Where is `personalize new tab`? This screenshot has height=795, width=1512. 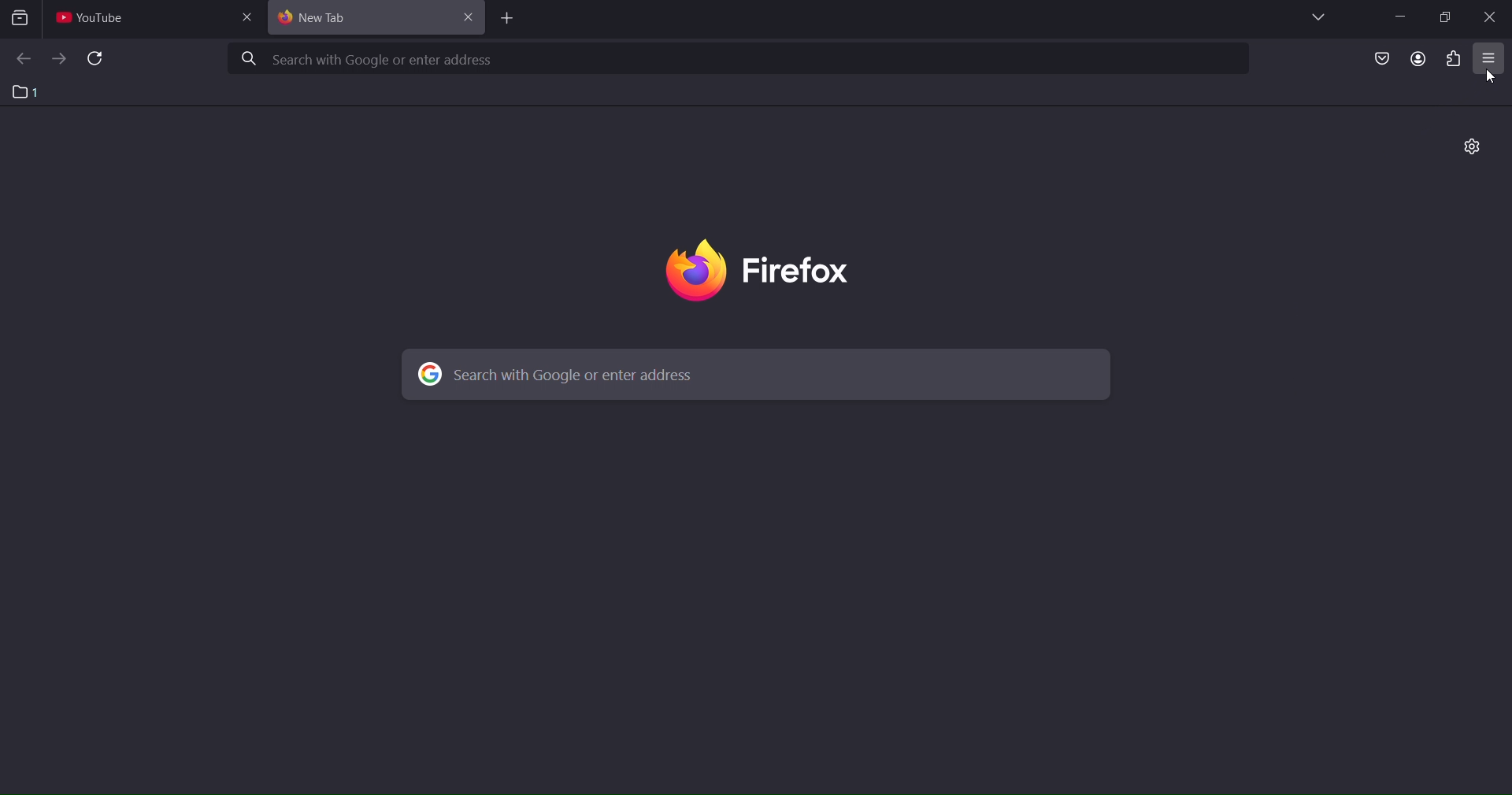
personalize new tab is located at coordinates (1473, 148).